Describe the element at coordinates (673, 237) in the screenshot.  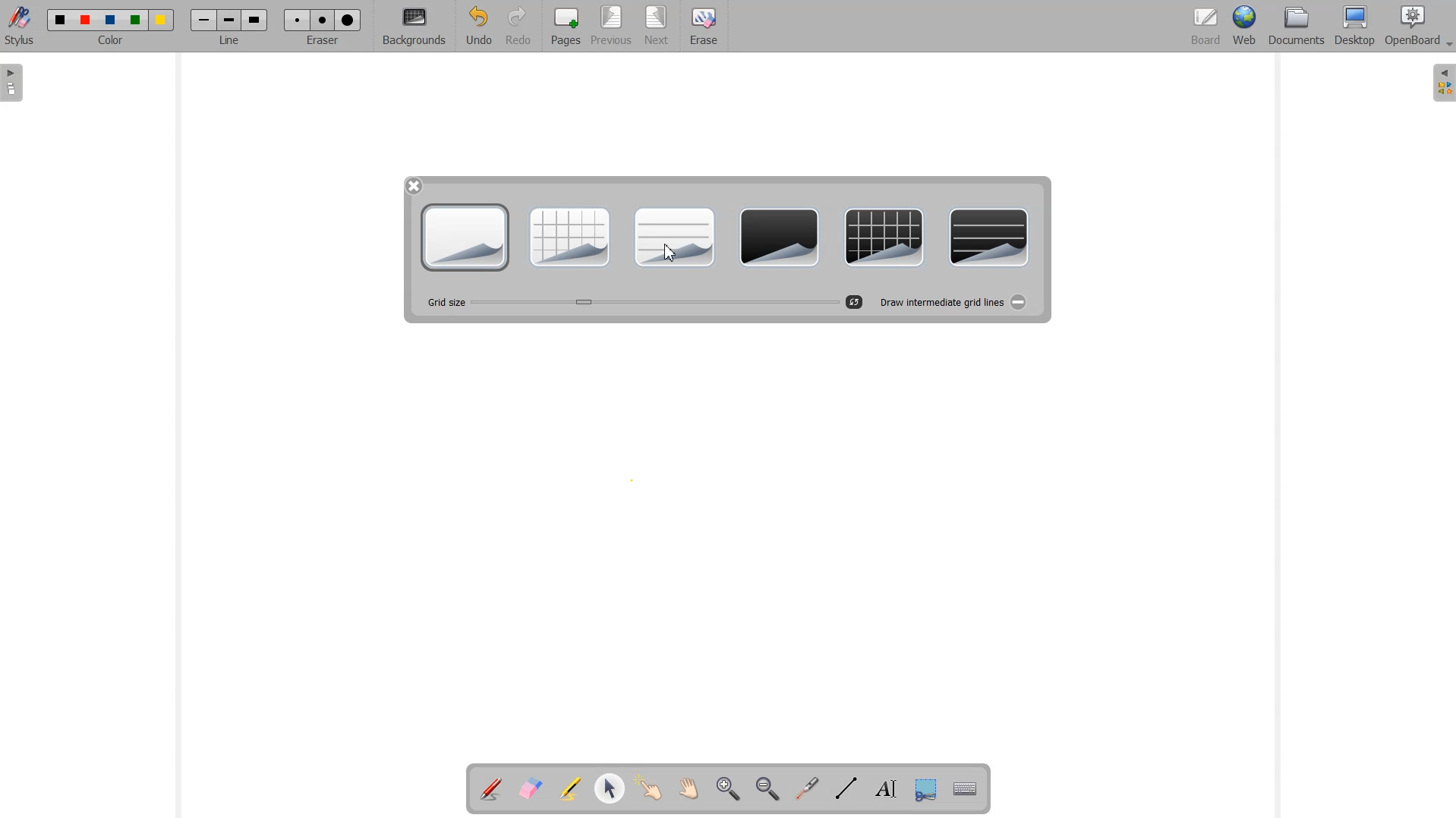
I see `Ruler Light Background` at that location.